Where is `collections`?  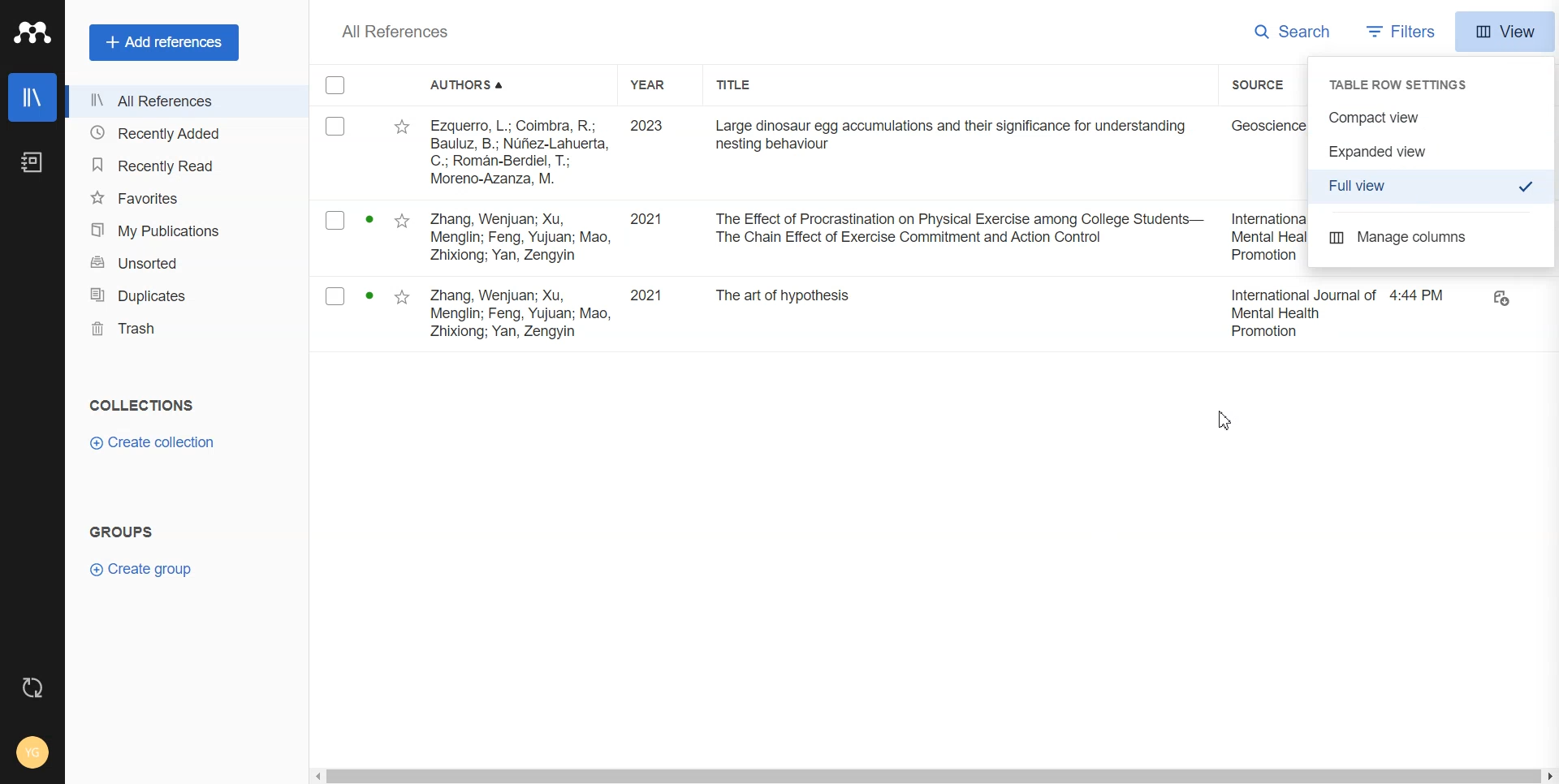 collections is located at coordinates (145, 403).